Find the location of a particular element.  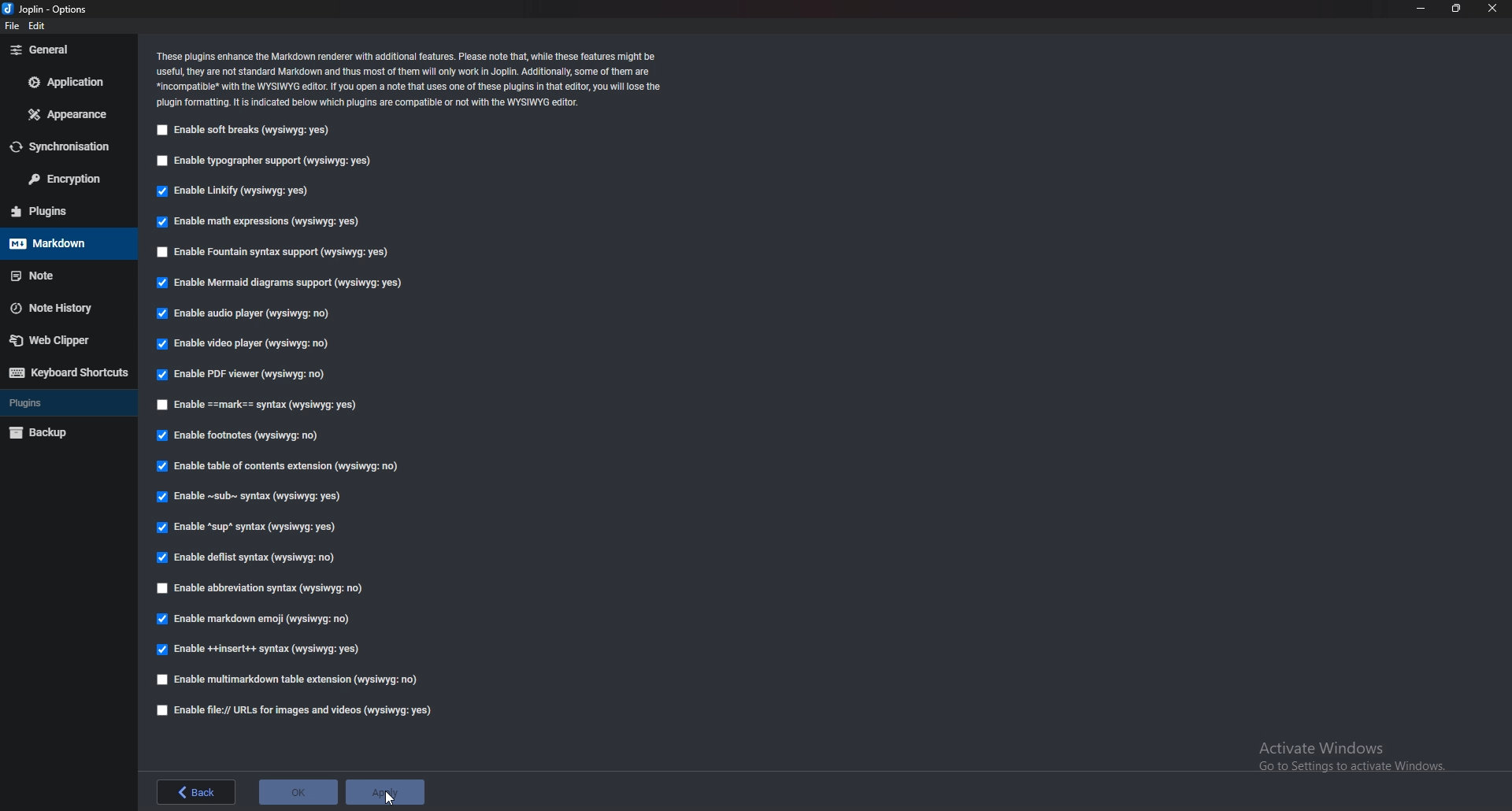

Keyboard shortcuts is located at coordinates (65, 373).